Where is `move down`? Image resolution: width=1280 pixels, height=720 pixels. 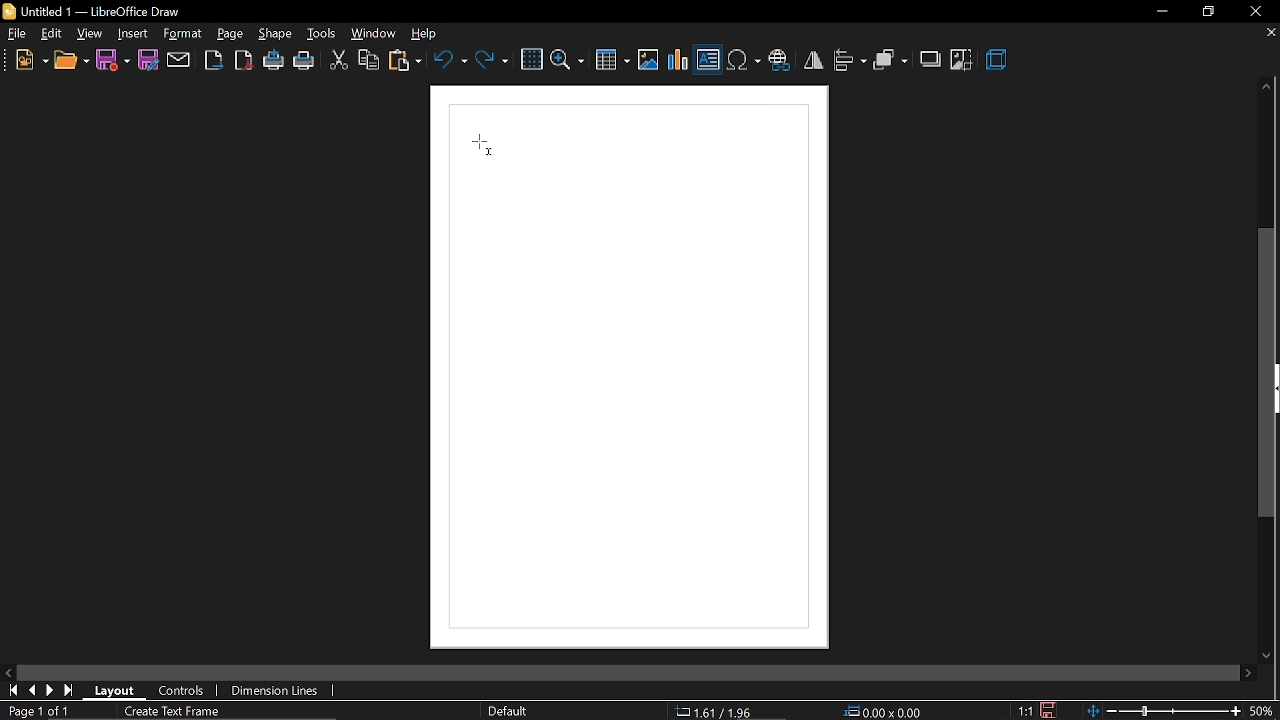 move down is located at coordinates (1270, 652).